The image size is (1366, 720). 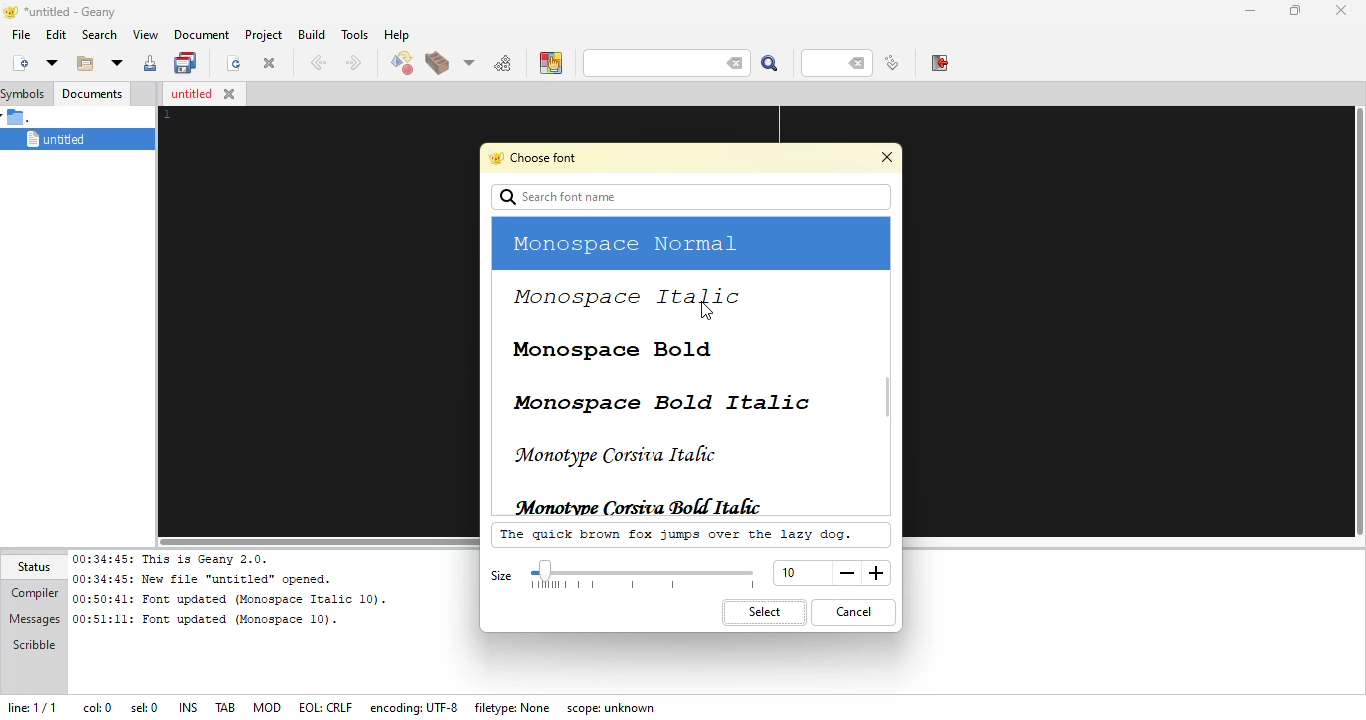 I want to click on next, so click(x=352, y=63).